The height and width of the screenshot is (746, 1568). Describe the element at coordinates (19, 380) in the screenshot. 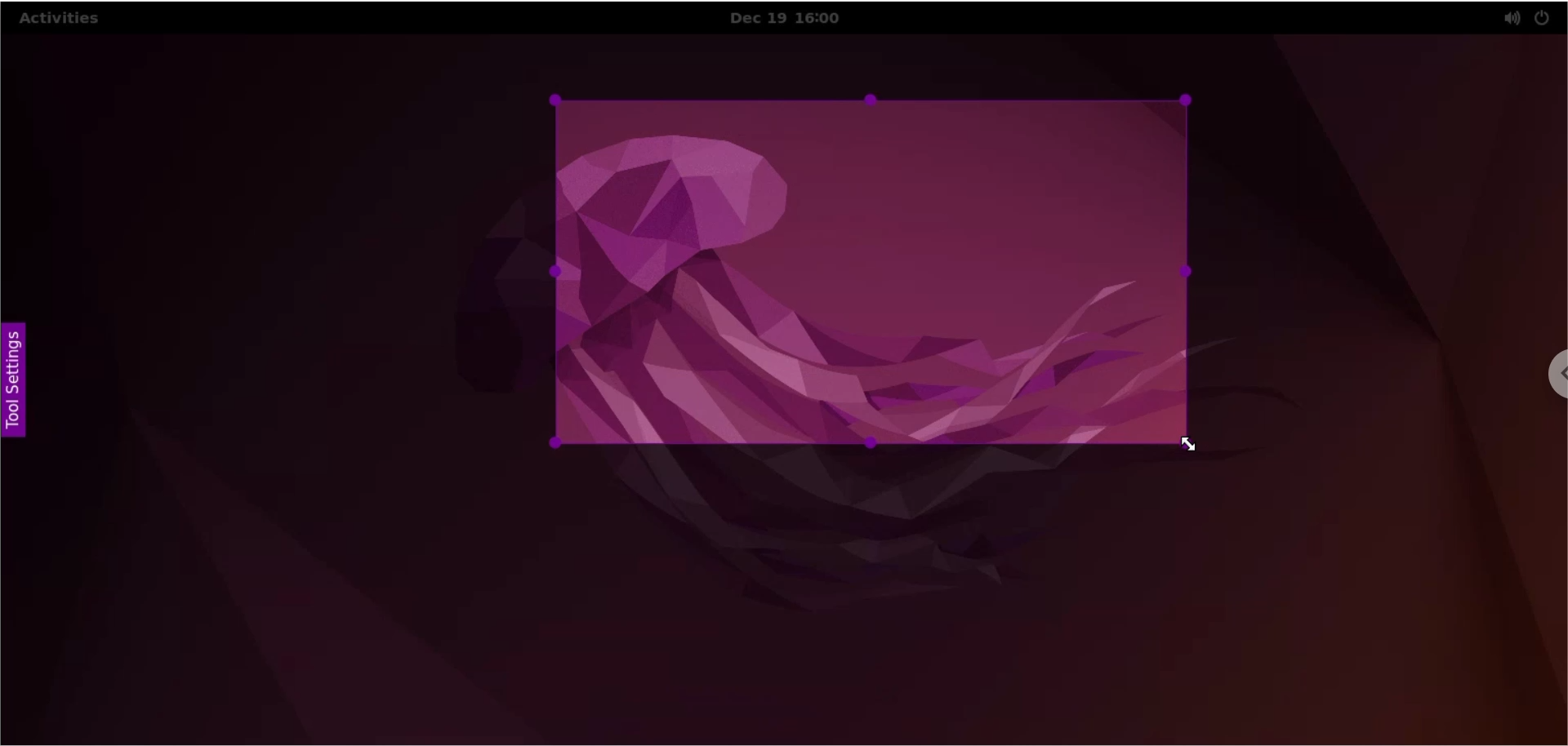

I see `tool settings` at that location.